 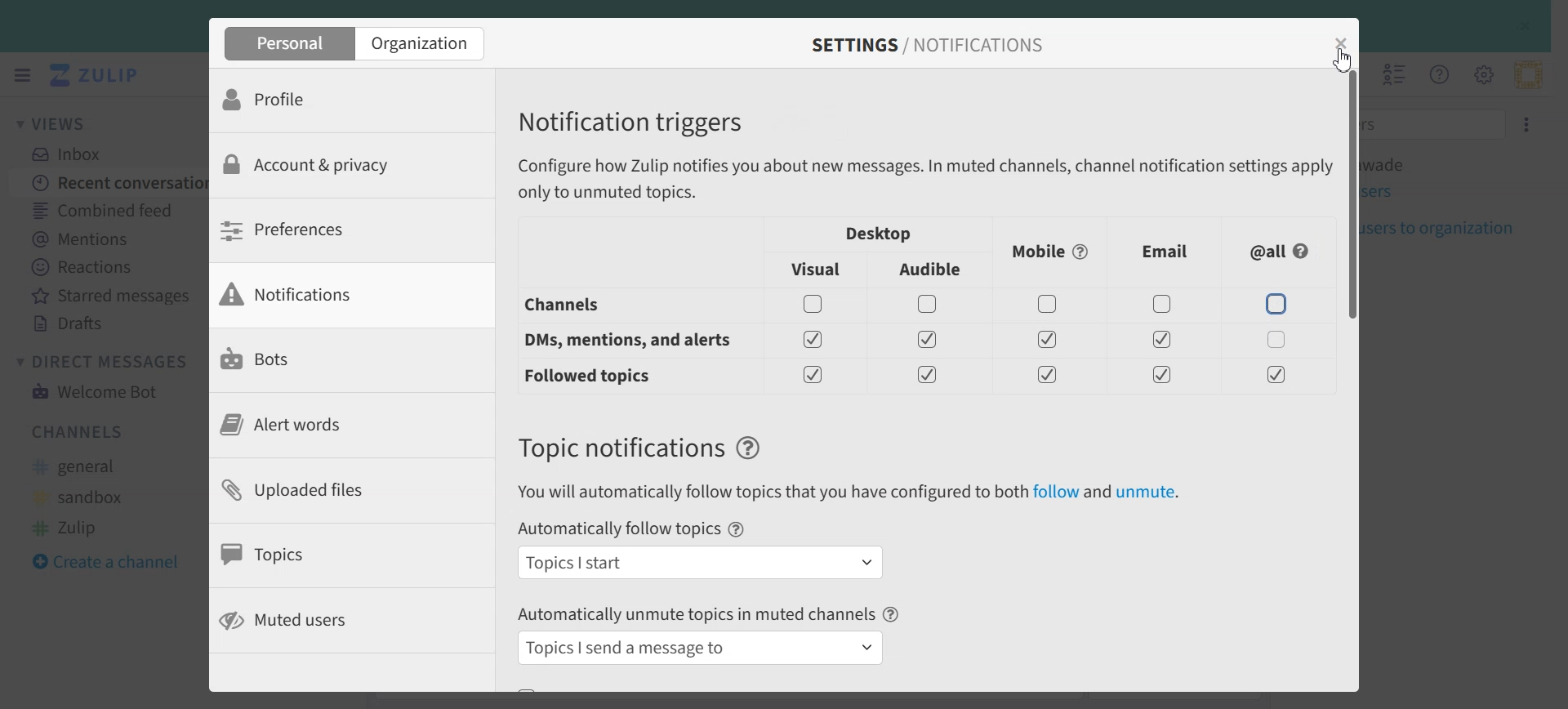 I want to click on All, so click(x=1281, y=252).